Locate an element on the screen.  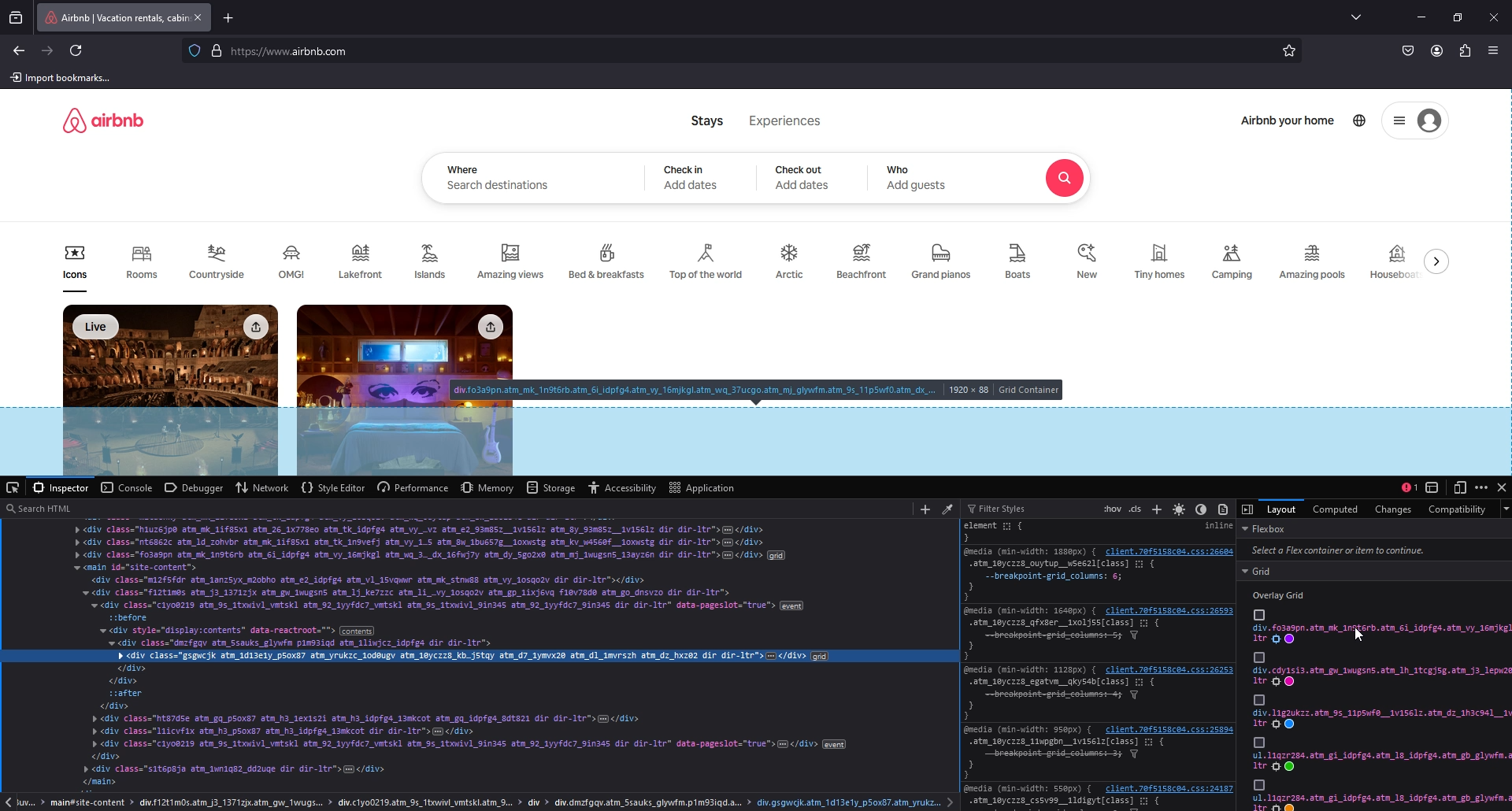
elements is located at coordinates (1062, 580).